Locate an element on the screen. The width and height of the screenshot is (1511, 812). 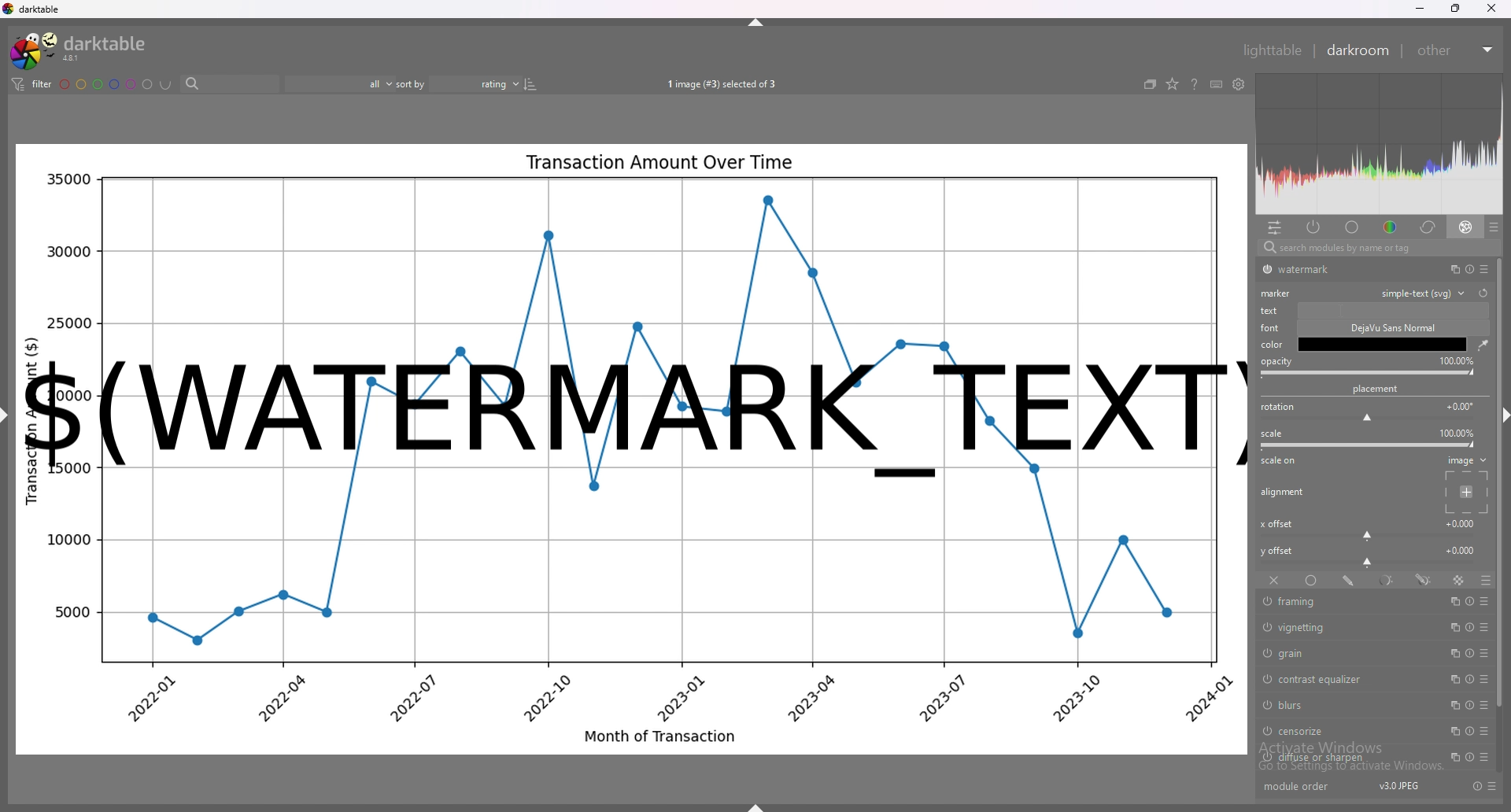
heat map is located at coordinates (1379, 144).